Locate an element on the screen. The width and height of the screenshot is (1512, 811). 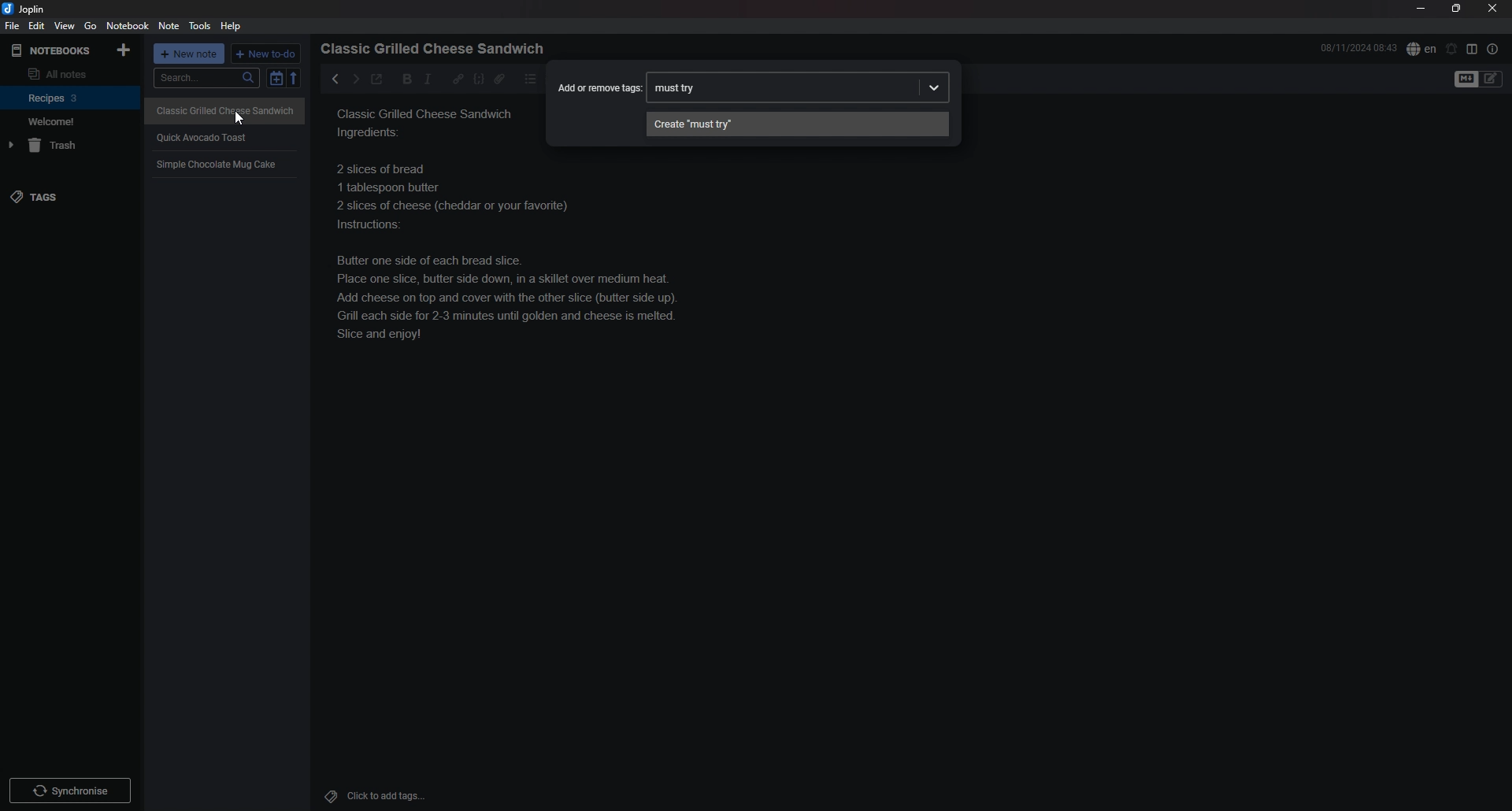
new note is located at coordinates (190, 54).